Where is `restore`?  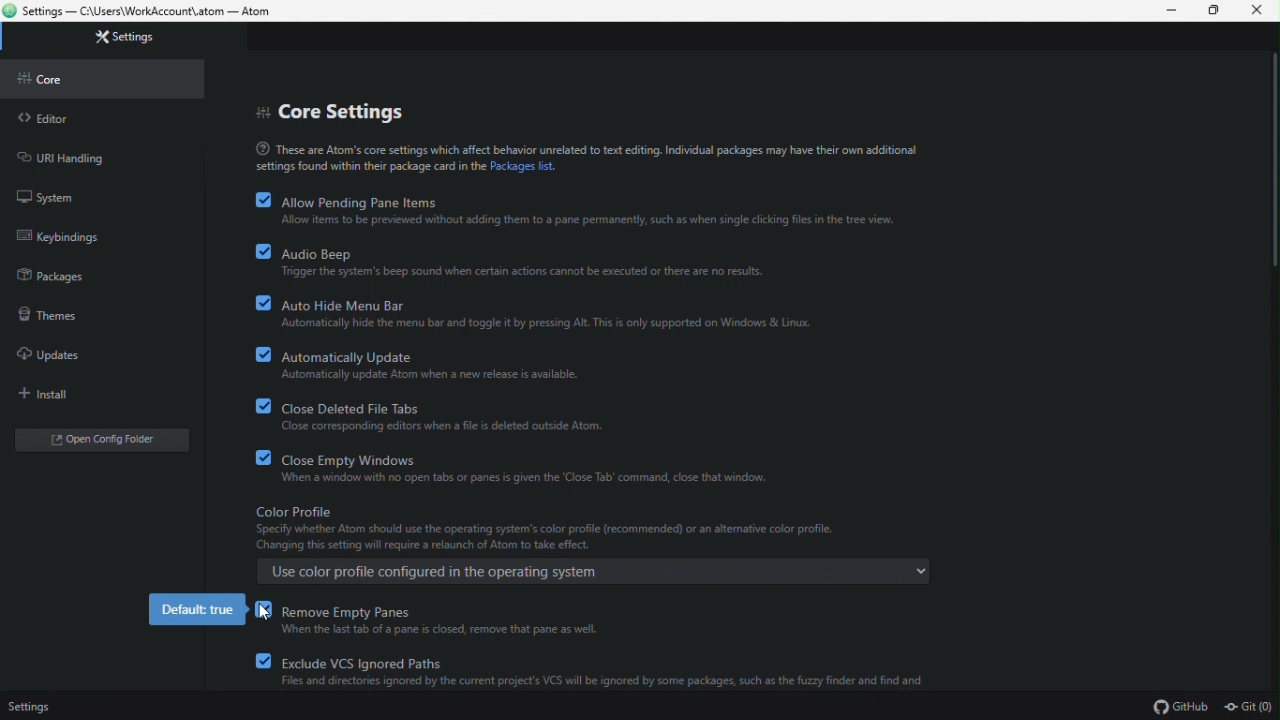 restore is located at coordinates (1216, 13).